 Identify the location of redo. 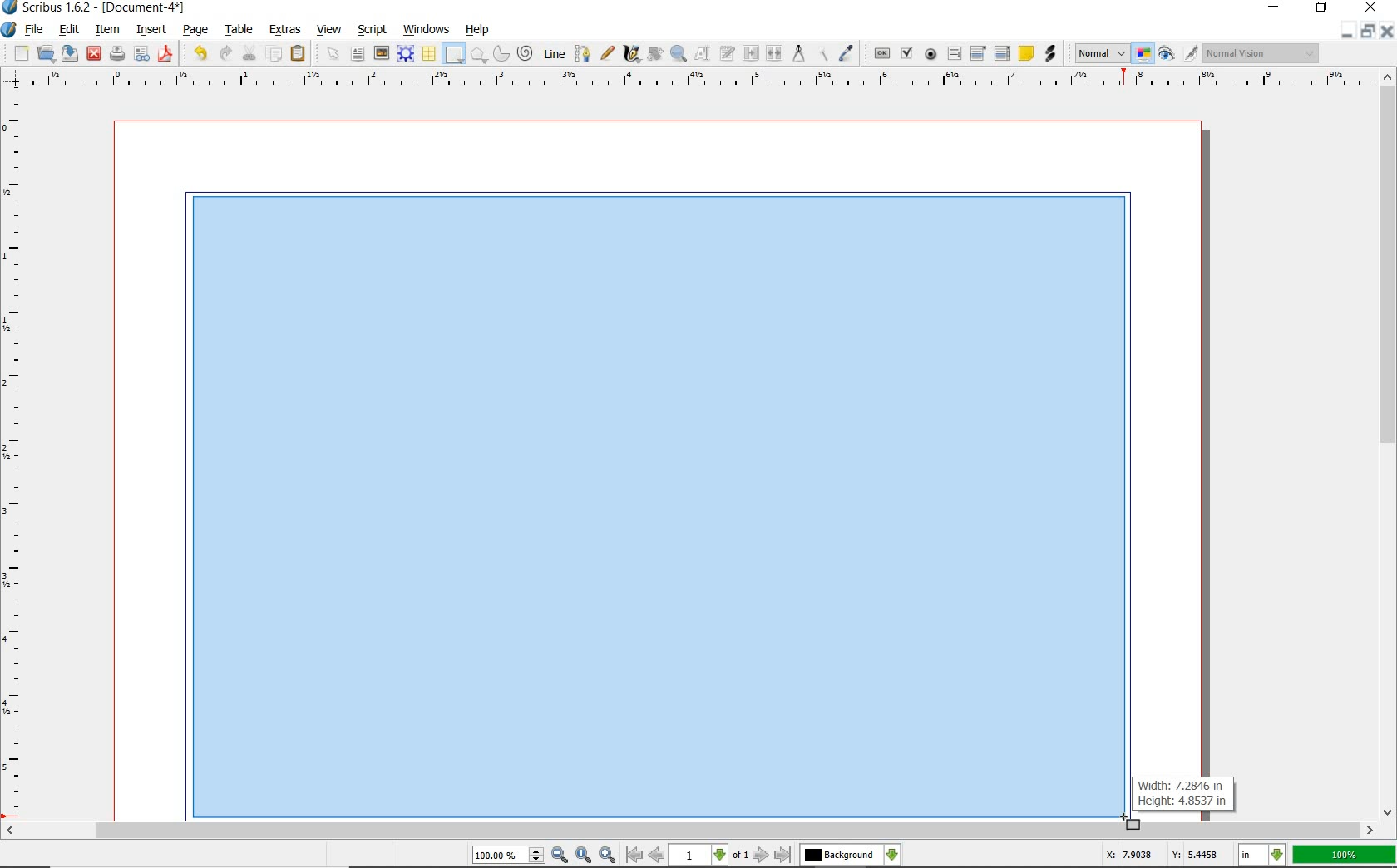
(227, 53).